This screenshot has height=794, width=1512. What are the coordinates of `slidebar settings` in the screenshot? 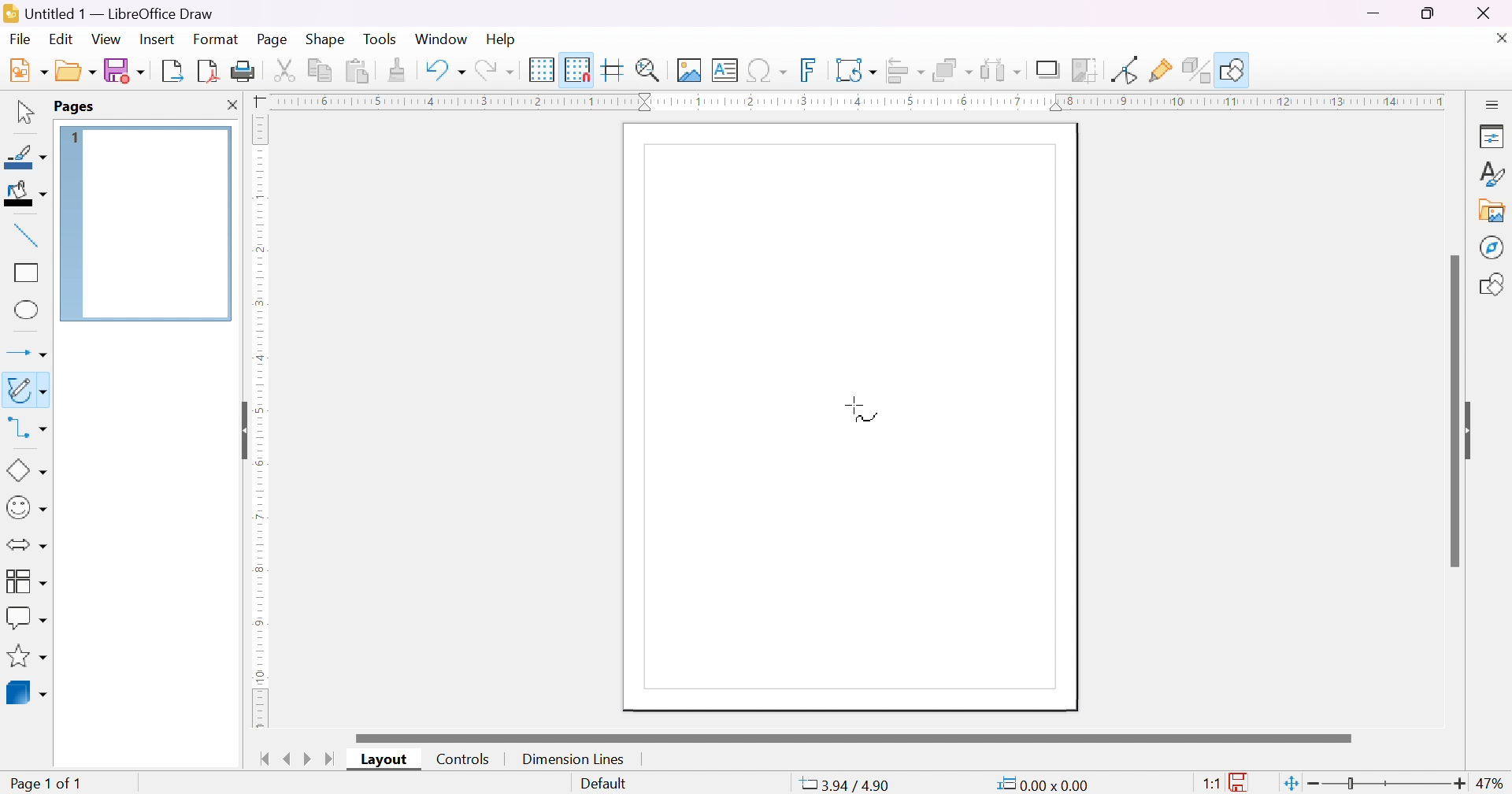 It's located at (1493, 102).